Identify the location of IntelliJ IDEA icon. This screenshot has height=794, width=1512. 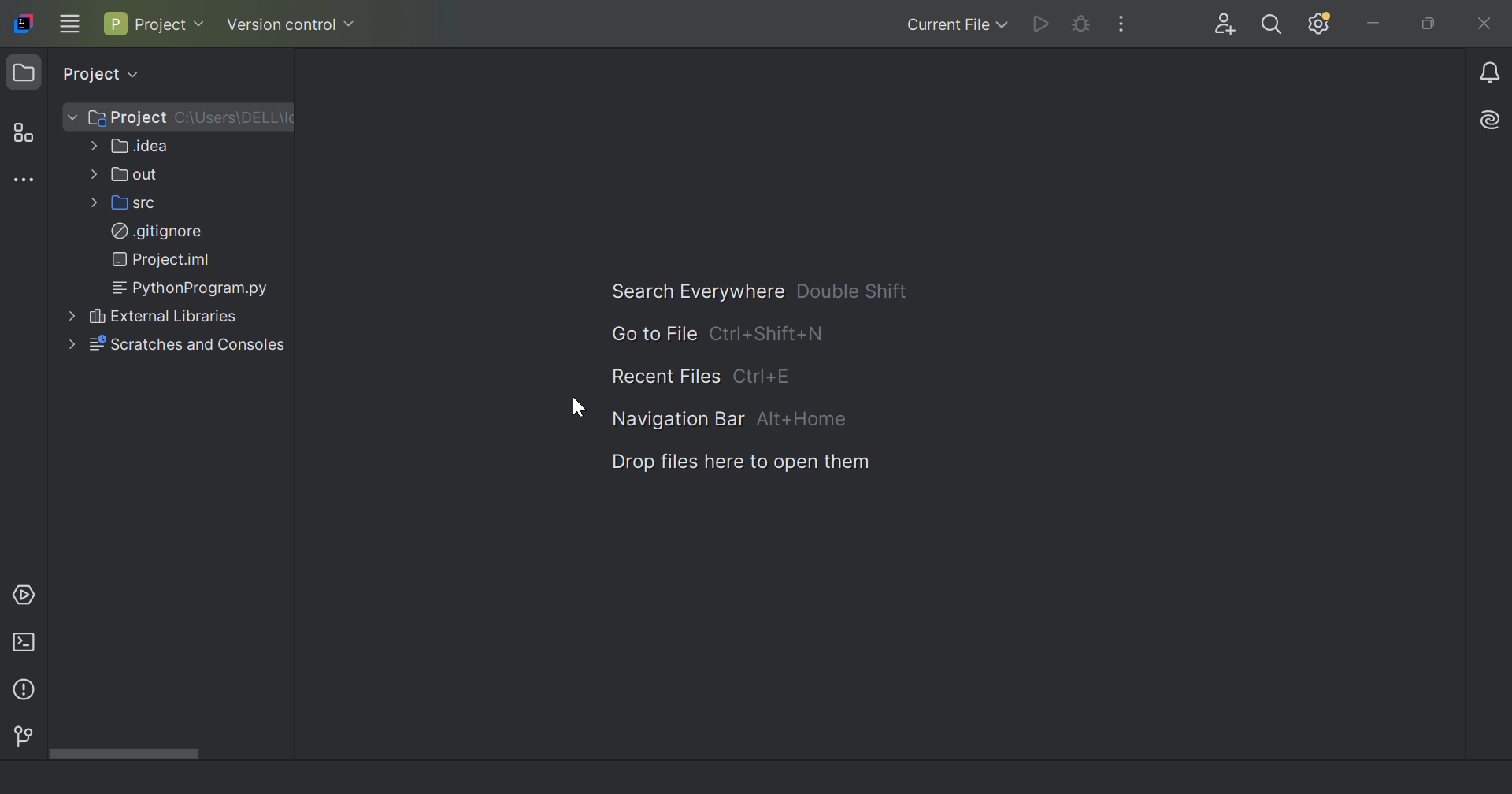
(26, 22).